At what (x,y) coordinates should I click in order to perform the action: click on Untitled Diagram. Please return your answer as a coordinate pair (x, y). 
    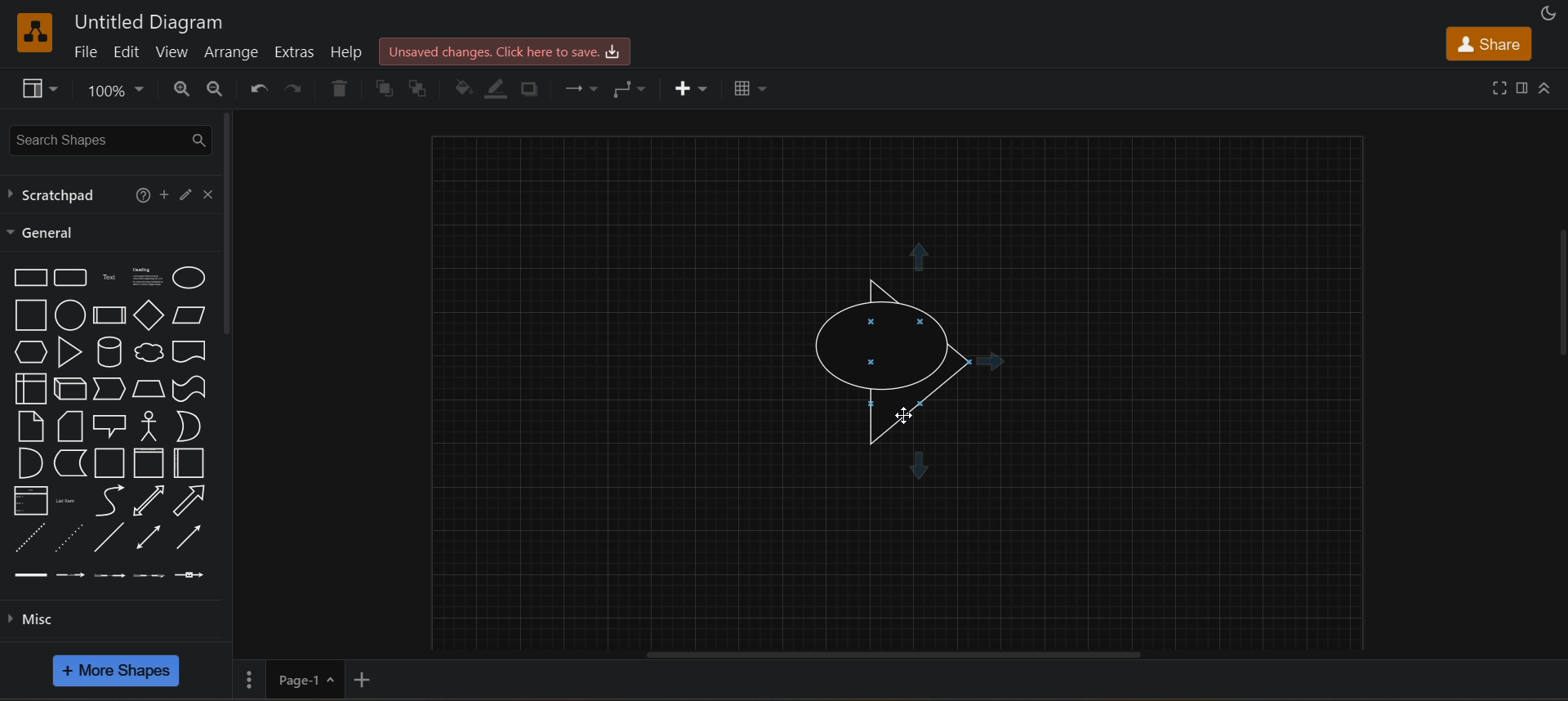
    Looking at the image, I should click on (149, 20).